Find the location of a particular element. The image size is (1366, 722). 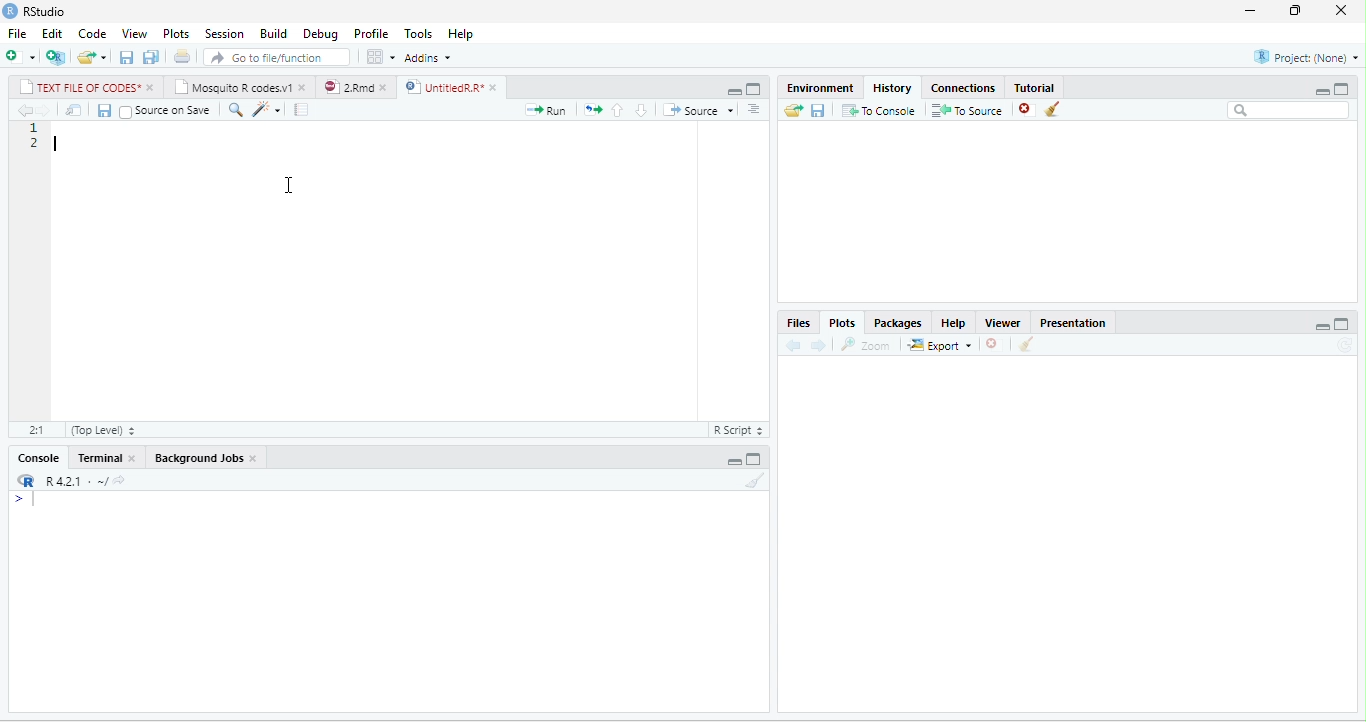

Source is located at coordinates (699, 109).